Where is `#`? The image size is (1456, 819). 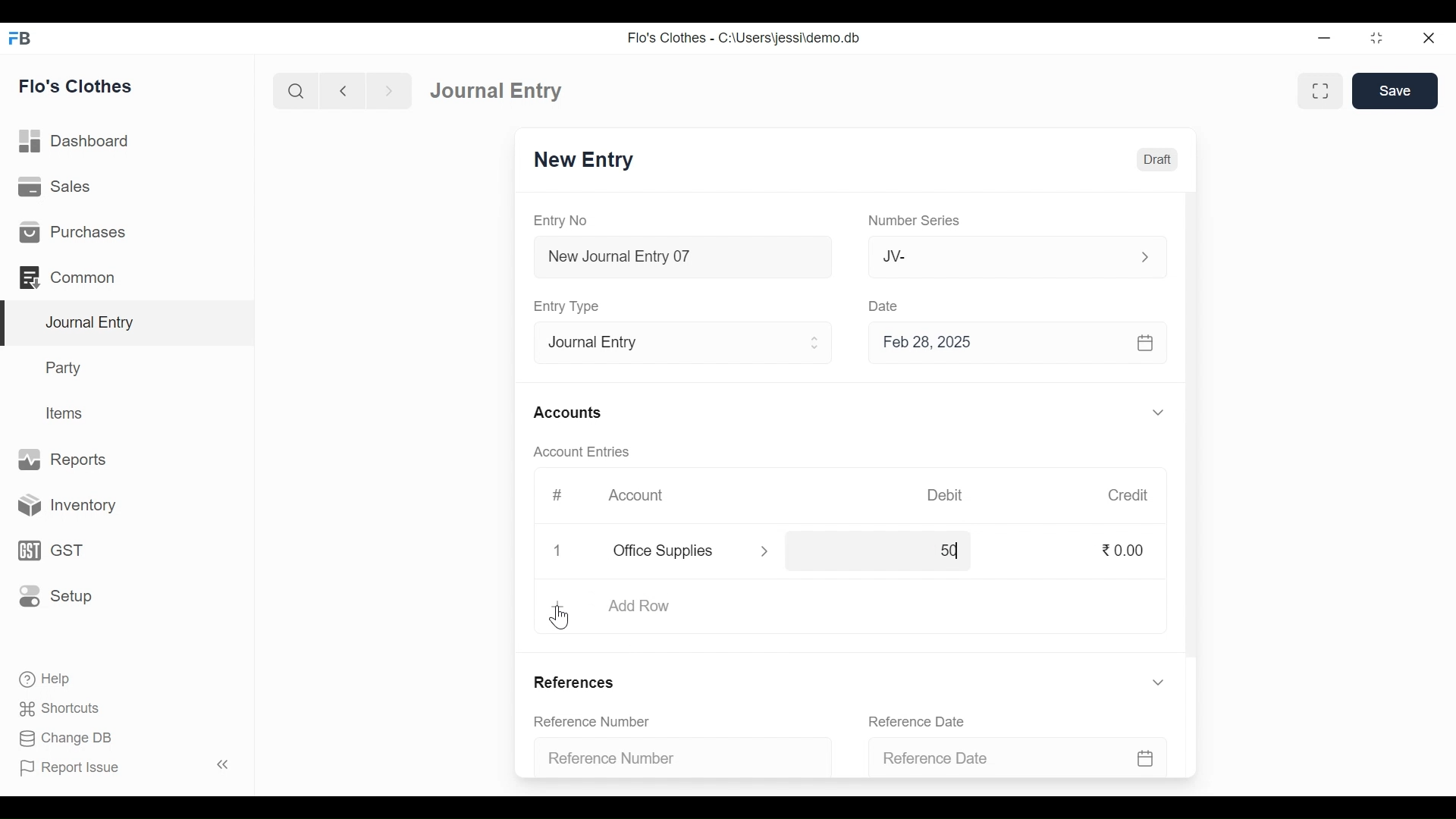
# is located at coordinates (558, 494).